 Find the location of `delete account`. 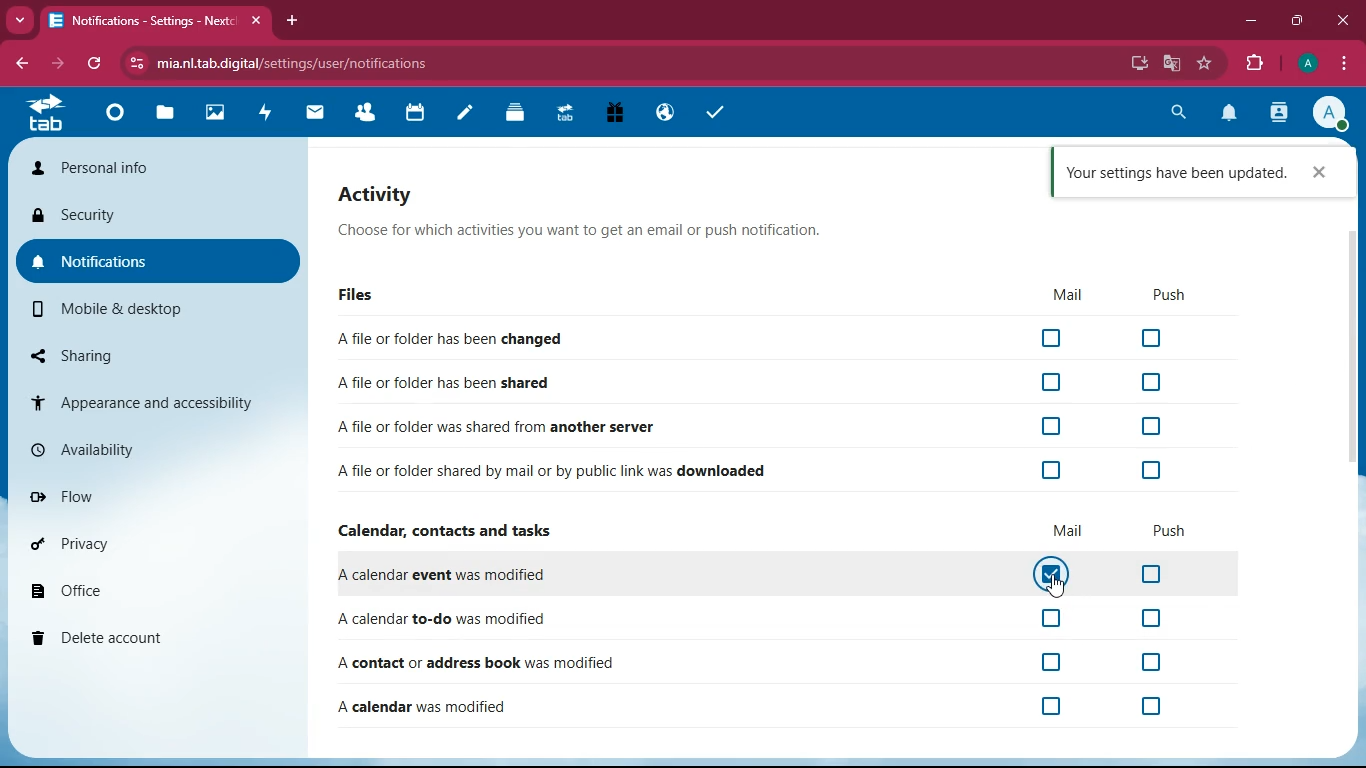

delete account is located at coordinates (151, 637).